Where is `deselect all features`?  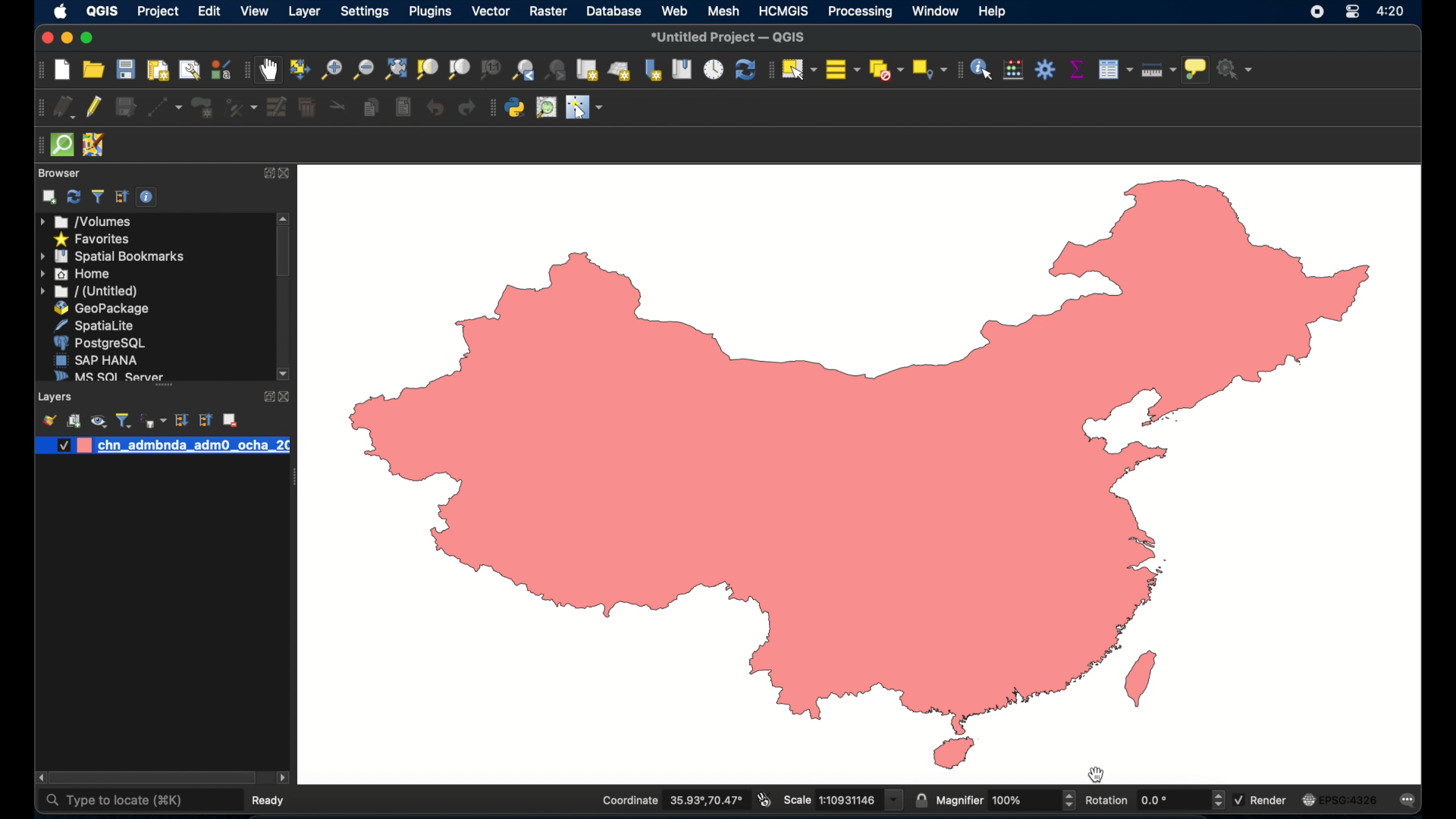 deselect all features is located at coordinates (884, 71).